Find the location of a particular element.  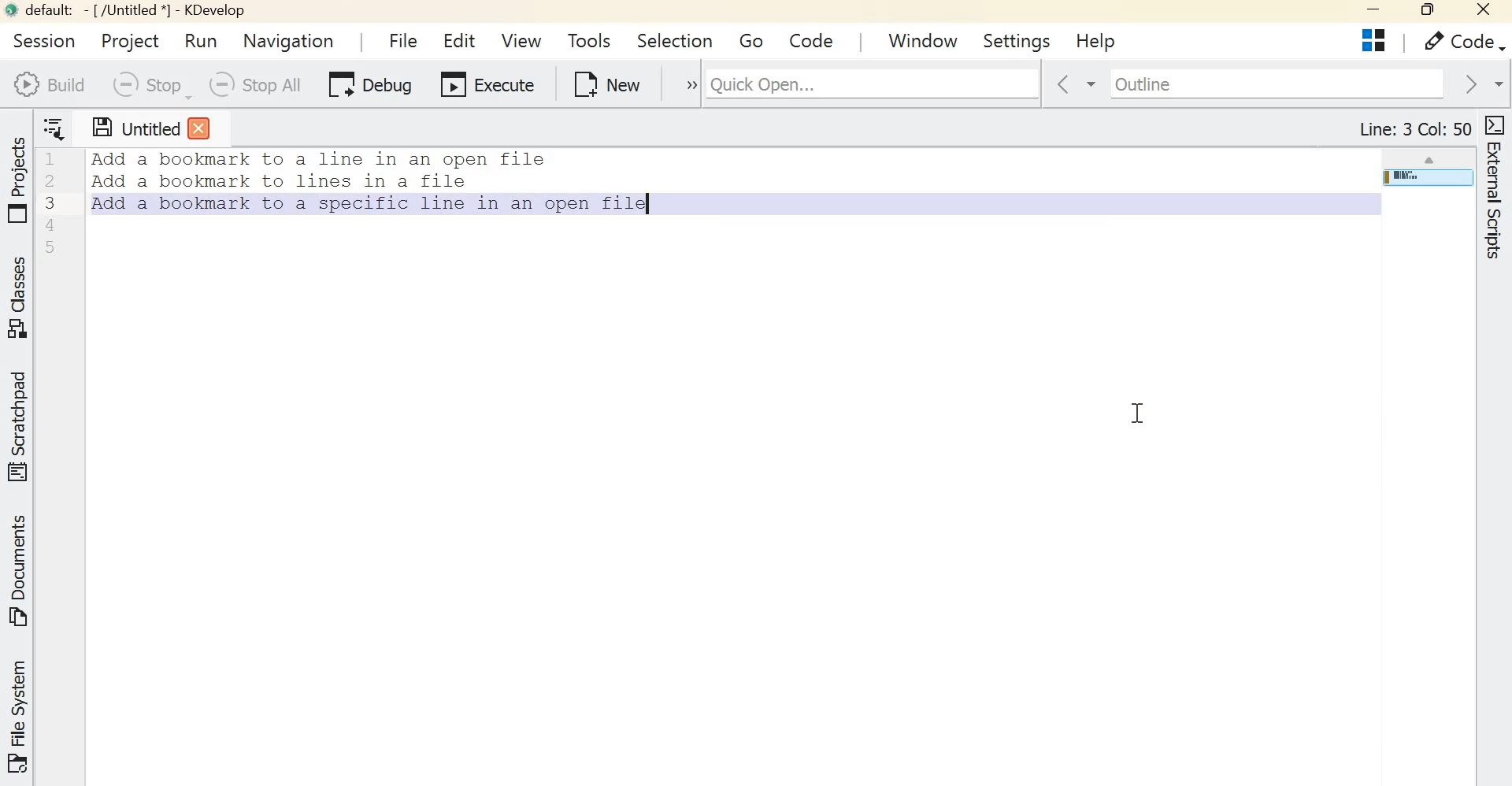

Scratchpad is located at coordinates (20, 427).